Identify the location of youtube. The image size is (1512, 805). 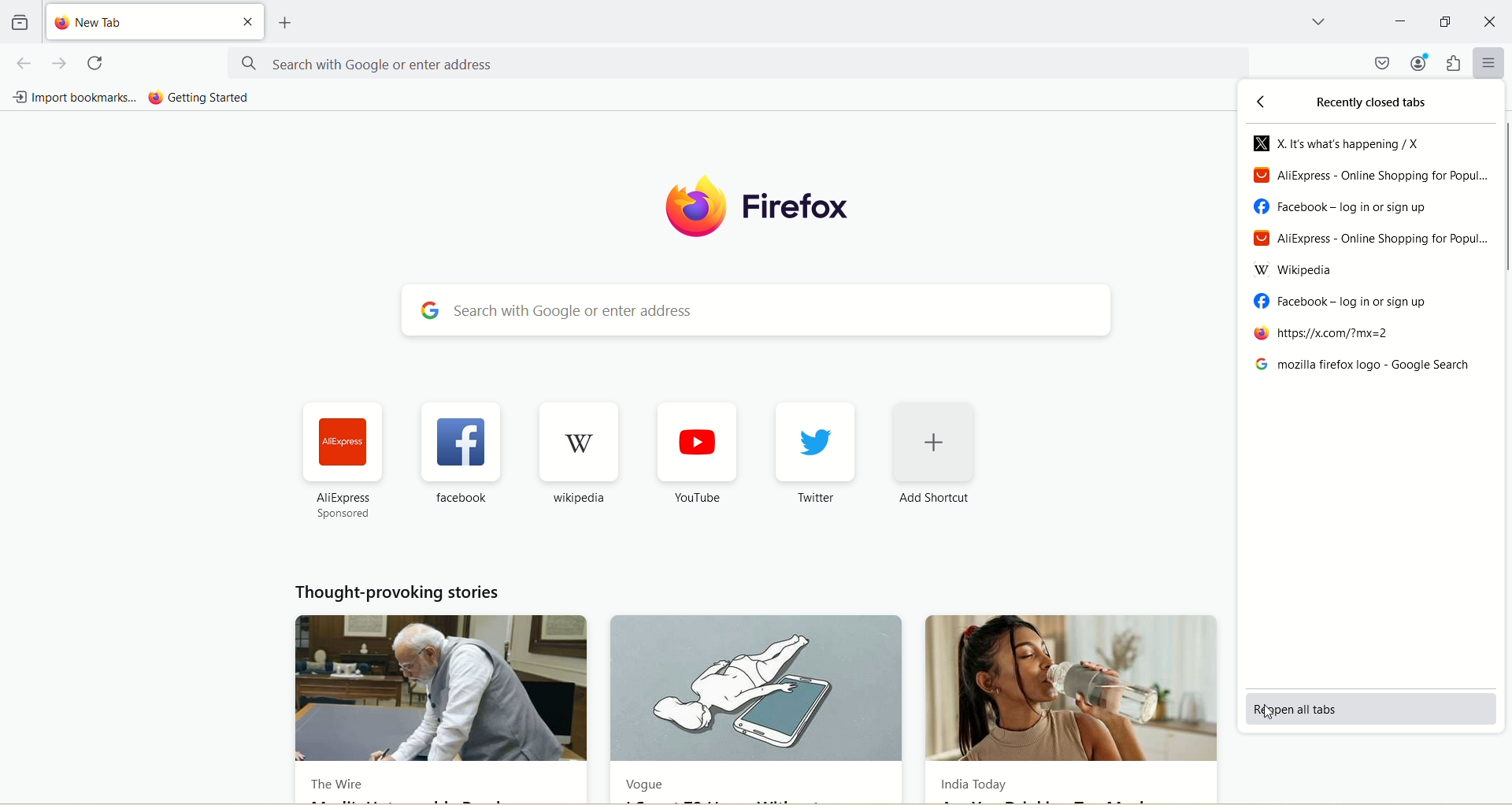
(699, 442).